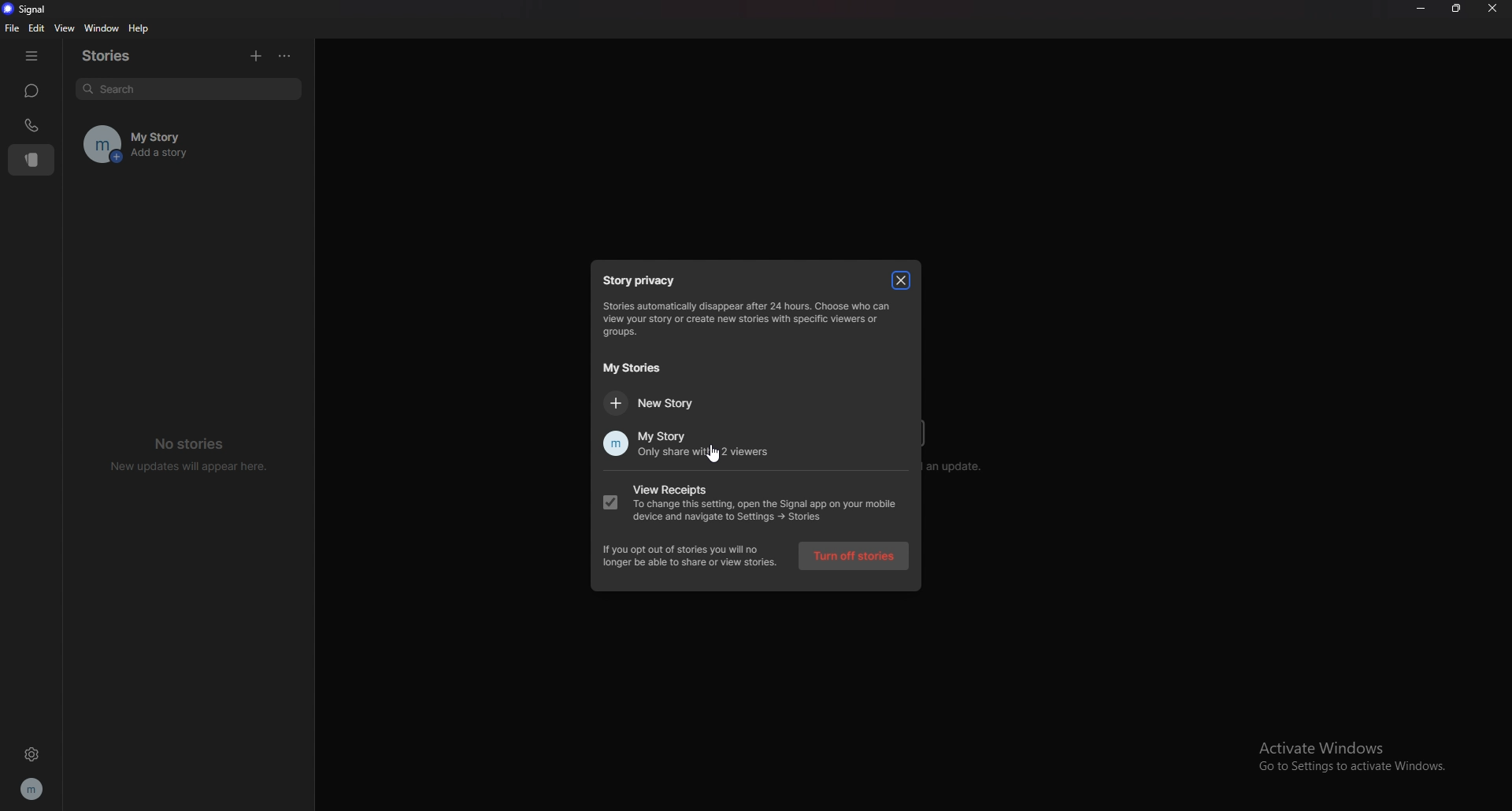 The height and width of the screenshot is (811, 1512). I want to click on view, so click(63, 28).